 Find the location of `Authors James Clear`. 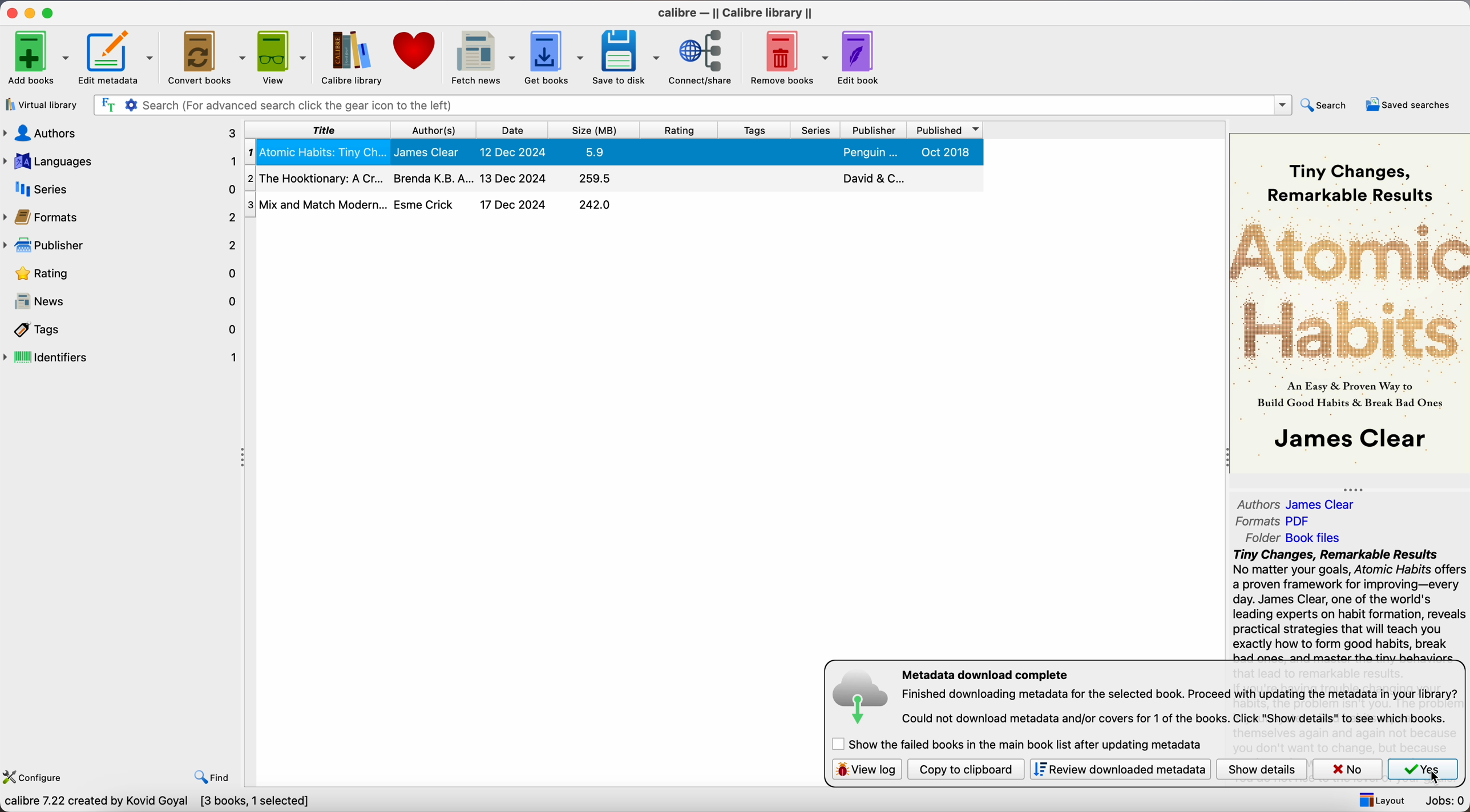

Authors James Clear is located at coordinates (1299, 503).